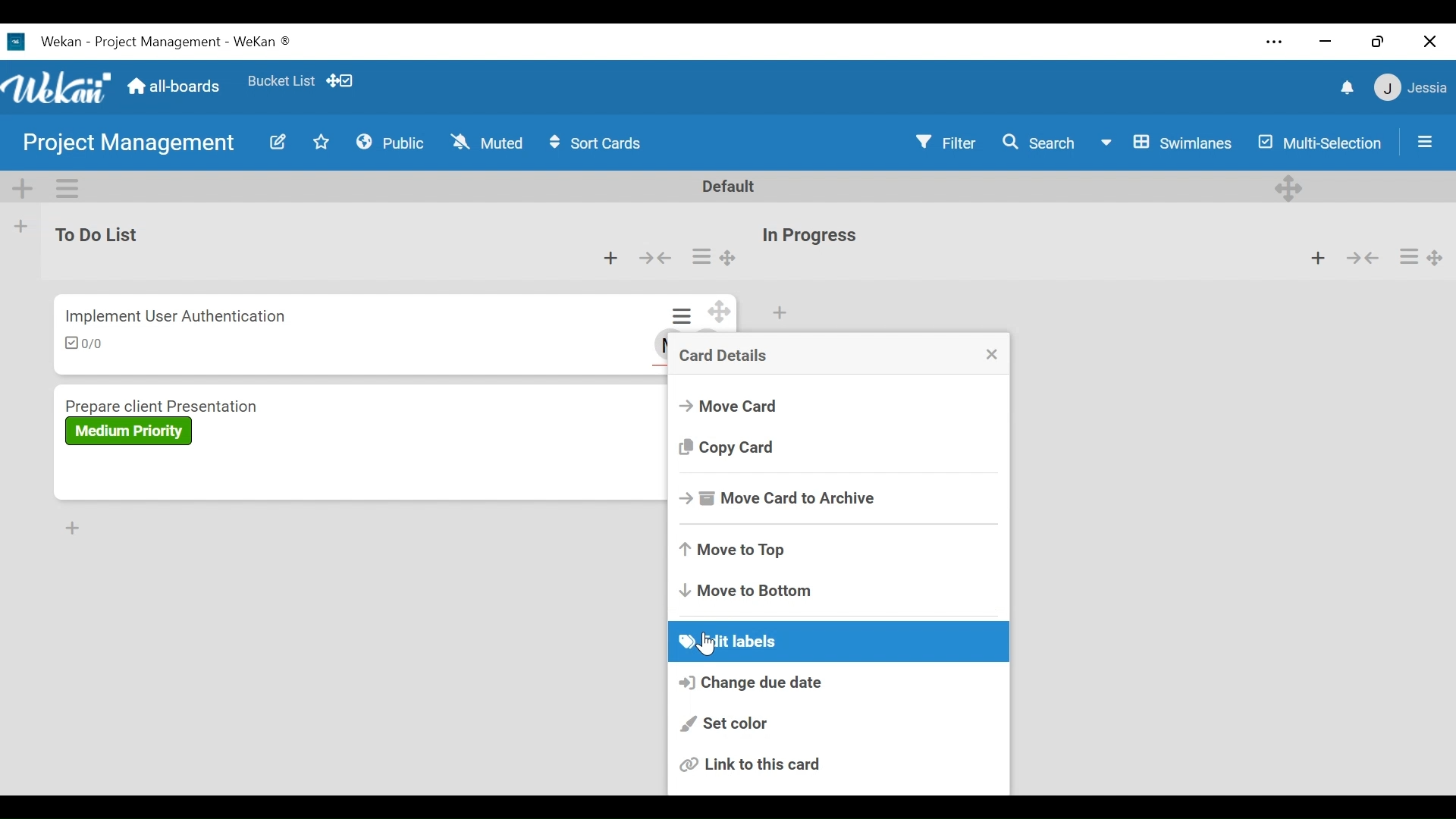 This screenshot has width=1456, height=819. Describe the element at coordinates (1291, 187) in the screenshot. I see `Desktop drag handles` at that location.